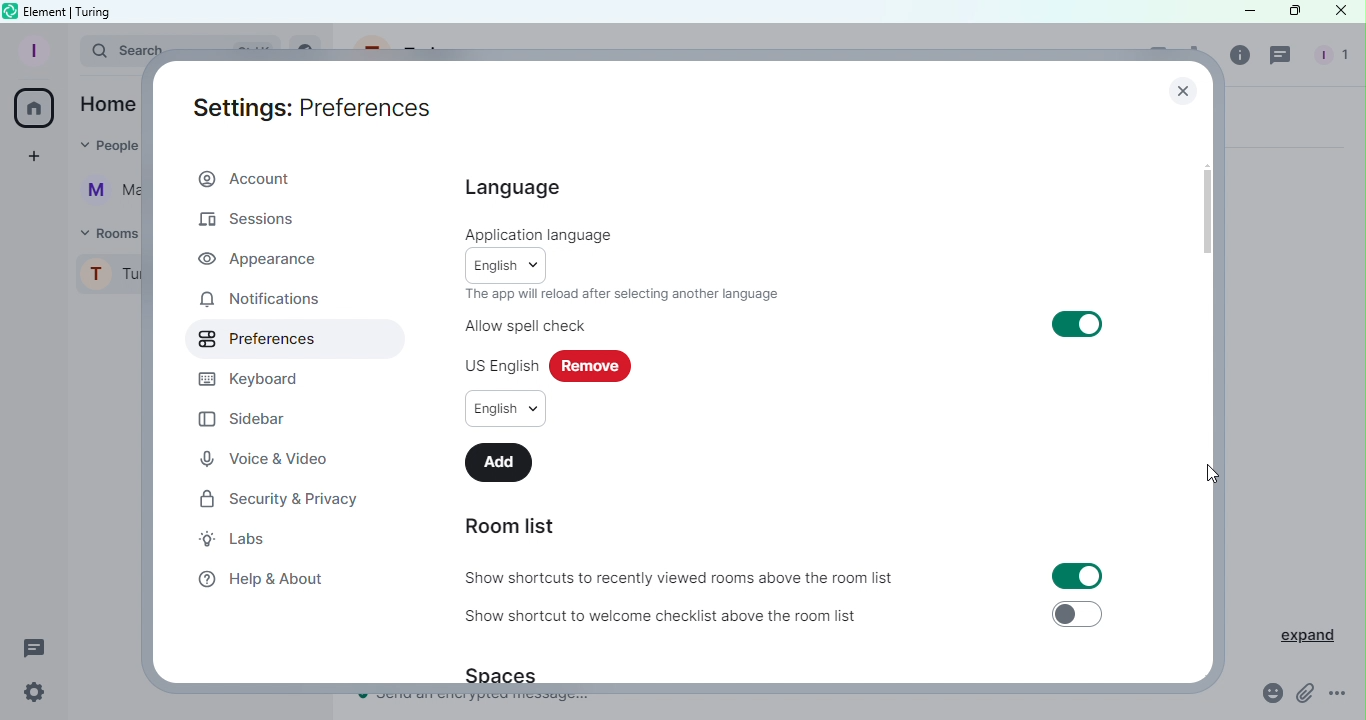 This screenshot has width=1366, height=720. What do you see at coordinates (251, 541) in the screenshot?
I see `Labs` at bounding box center [251, 541].